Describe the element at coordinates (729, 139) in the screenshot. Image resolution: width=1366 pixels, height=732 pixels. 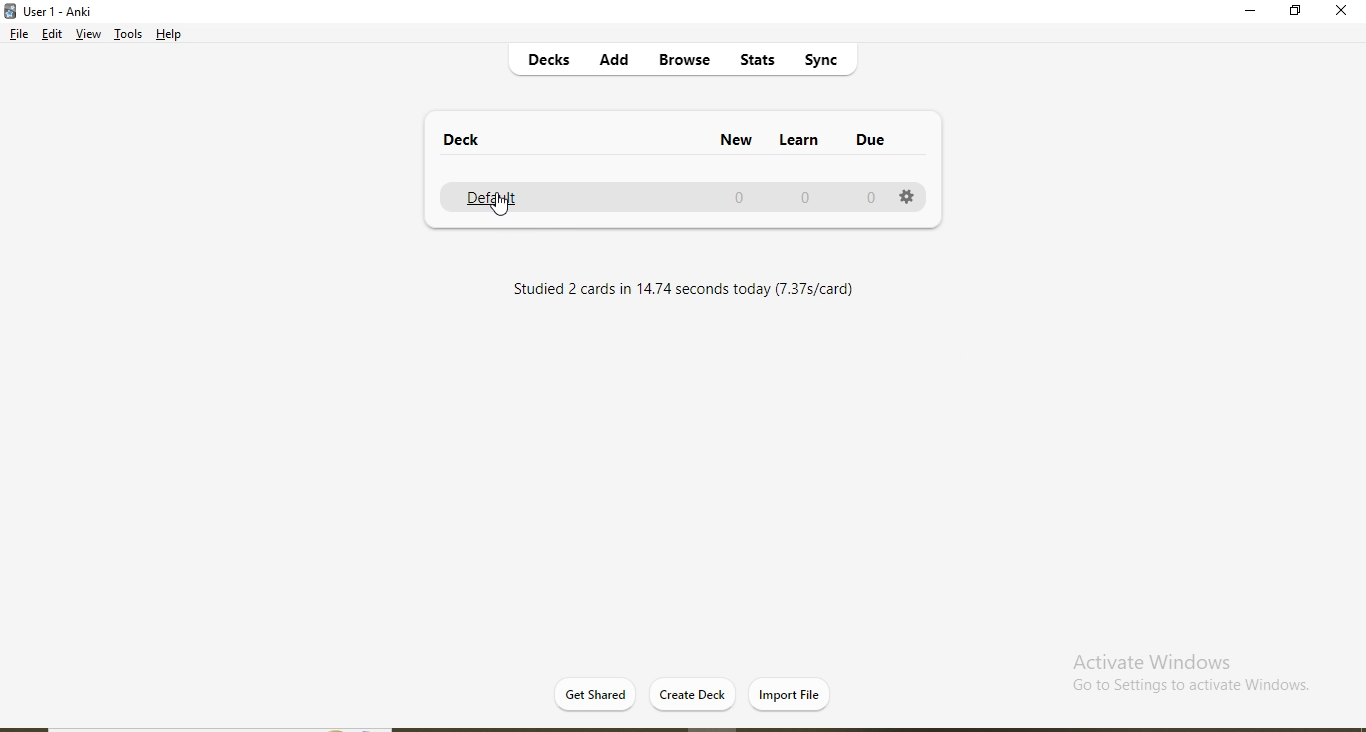
I see `new` at that location.